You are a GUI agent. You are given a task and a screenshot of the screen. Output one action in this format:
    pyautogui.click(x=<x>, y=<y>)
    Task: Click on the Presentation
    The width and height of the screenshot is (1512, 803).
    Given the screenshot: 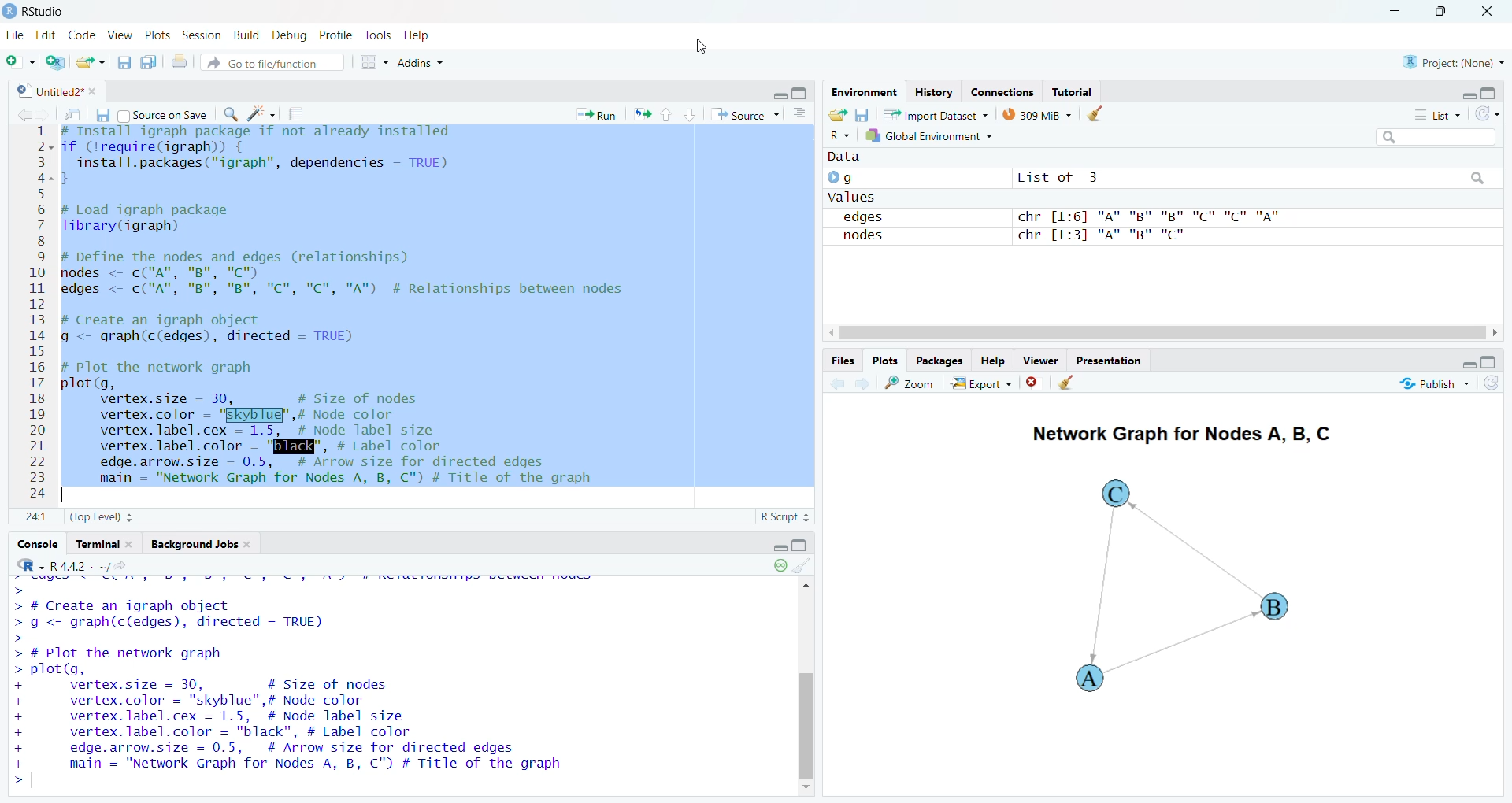 What is the action you would take?
    pyautogui.click(x=1114, y=361)
    